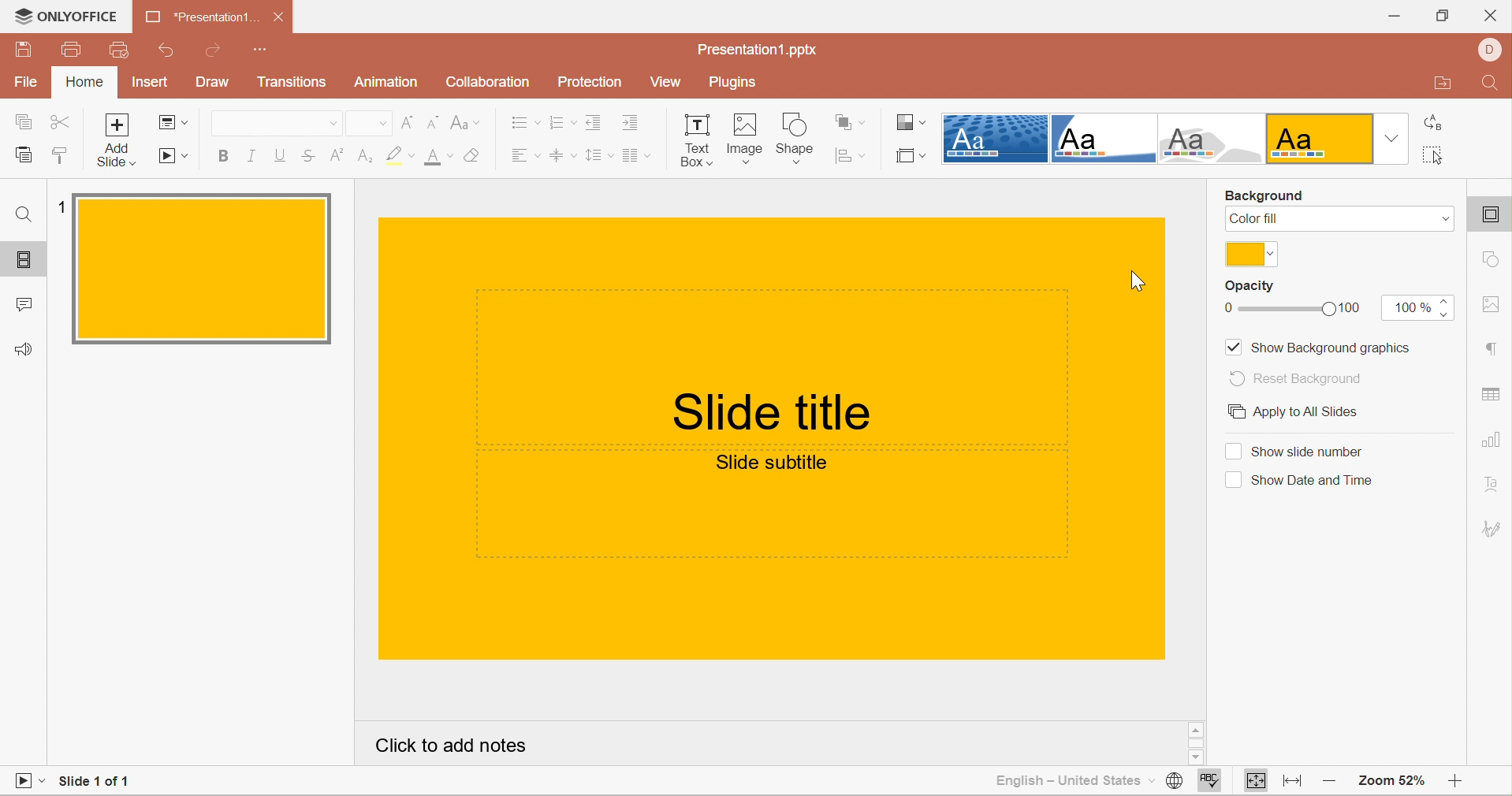 The width and height of the screenshot is (1512, 796). Describe the element at coordinates (117, 50) in the screenshot. I see `Quick print` at that location.